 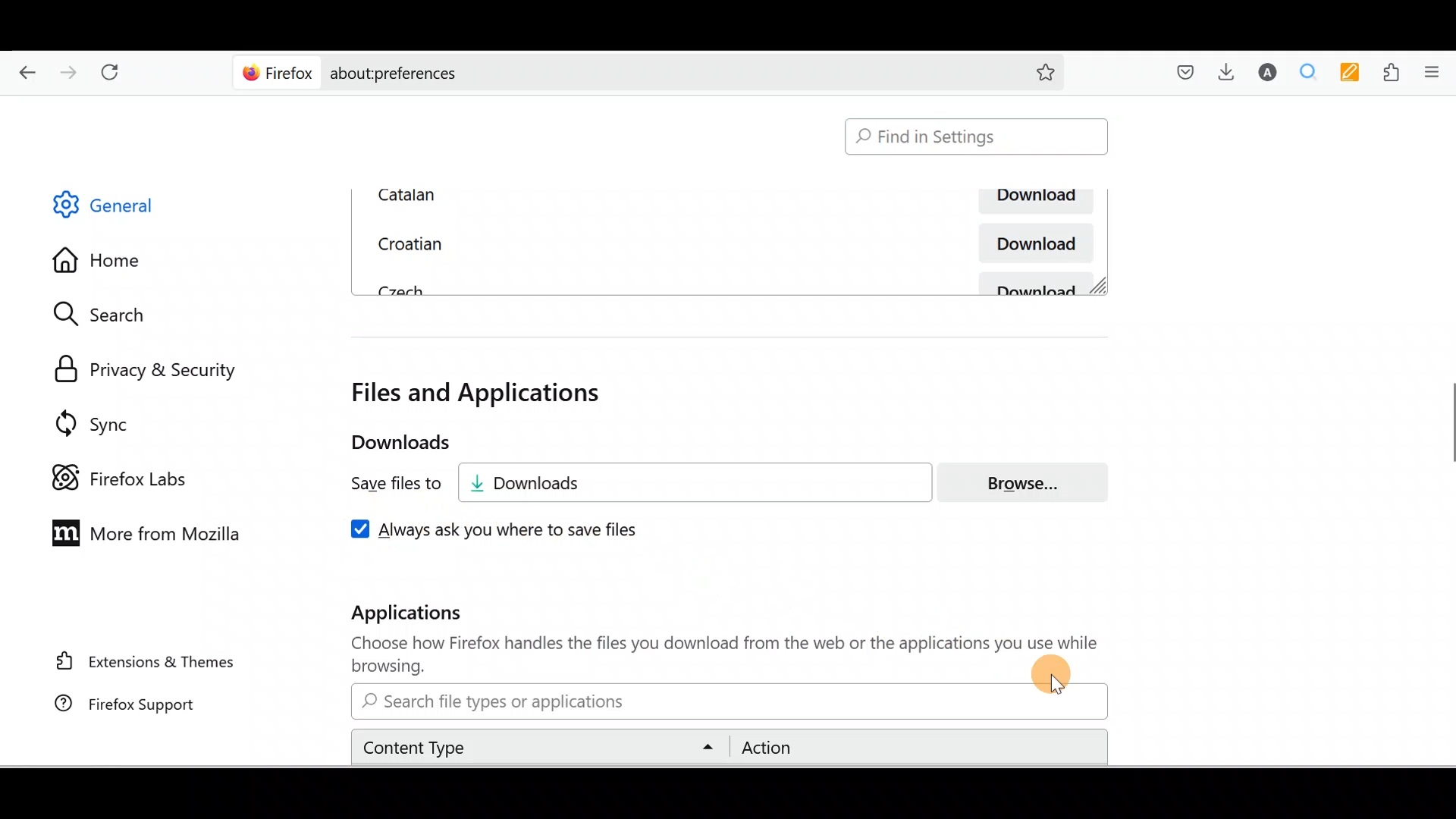 I want to click on Multi keywords highlighter, so click(x=1354, y=73).